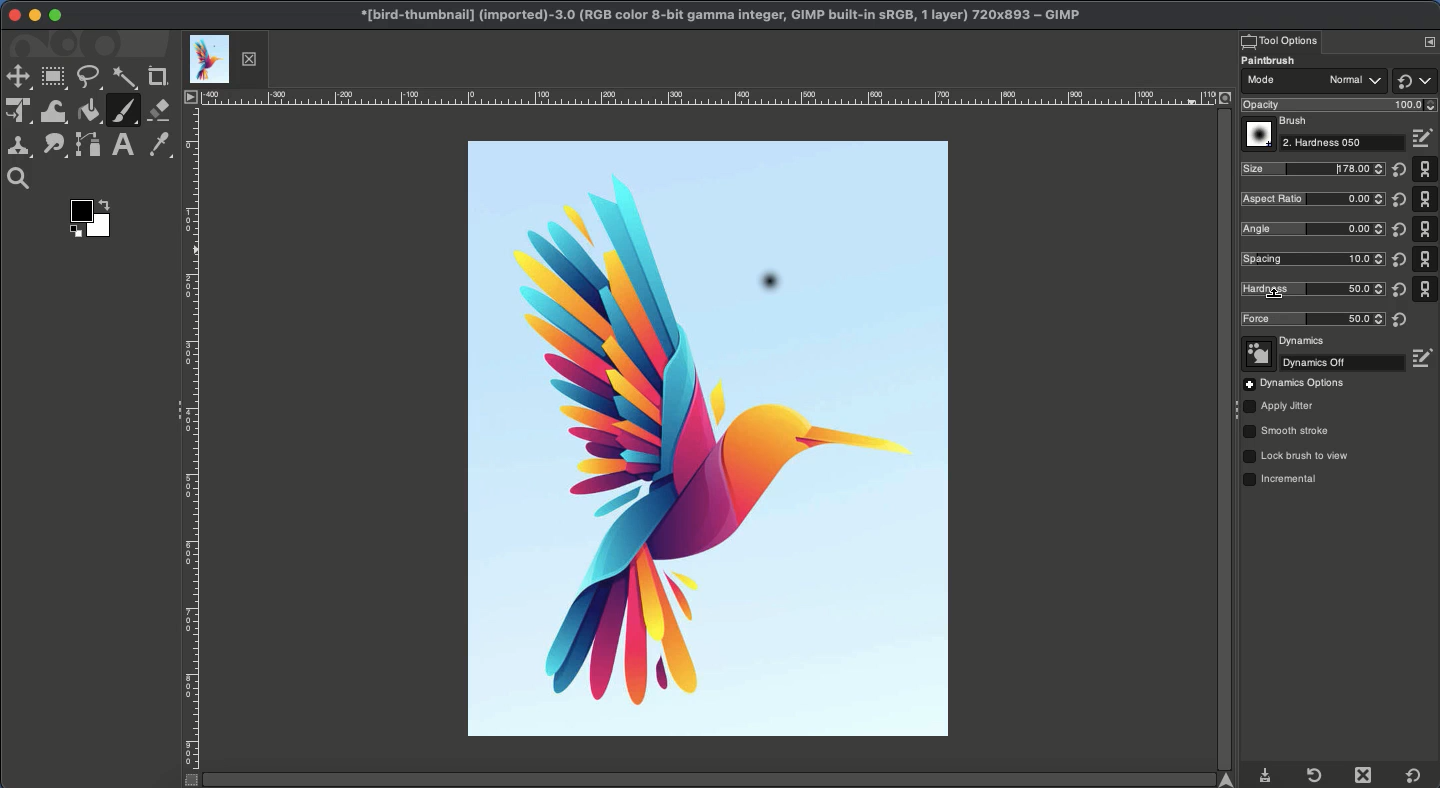 This screenshot has width=1440, height=788. Describe the element at coordinates (89, 111) in the screenshot. I see `Fill color` at that location.